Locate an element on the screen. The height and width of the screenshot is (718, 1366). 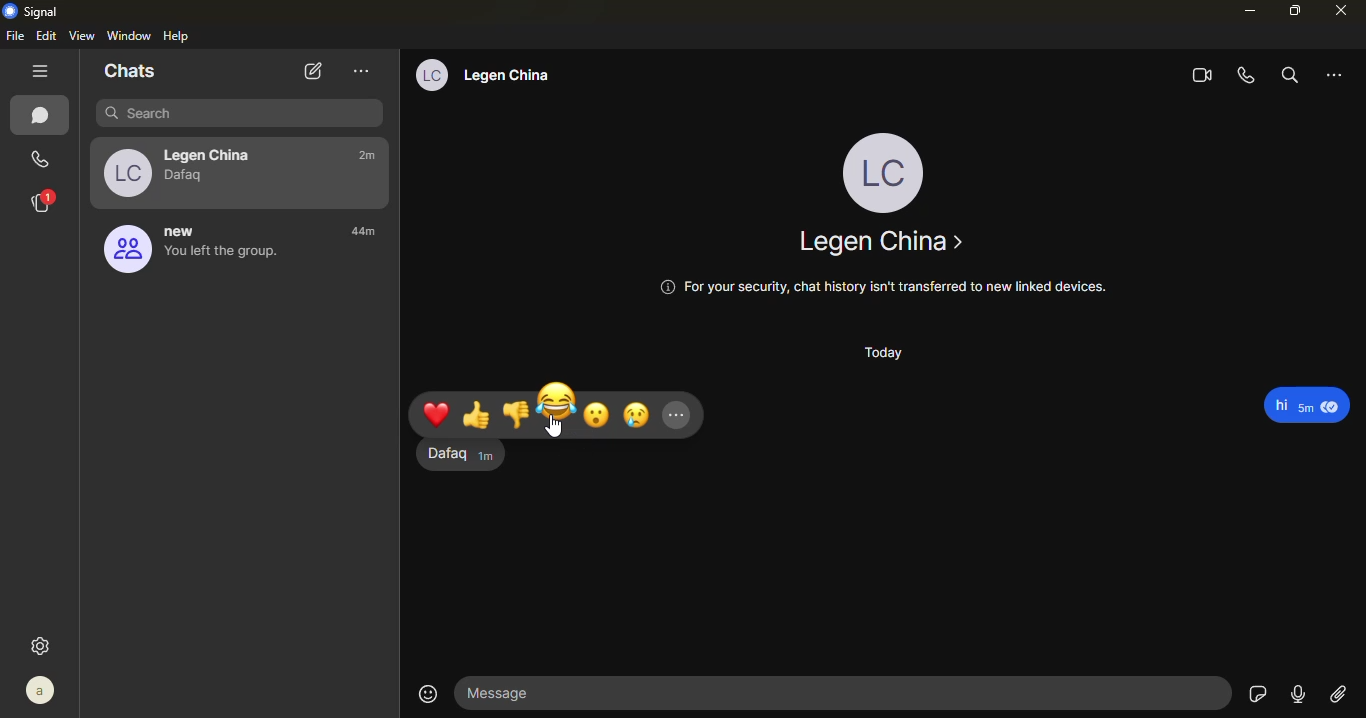
video call is located at coordinates (1199, 77).